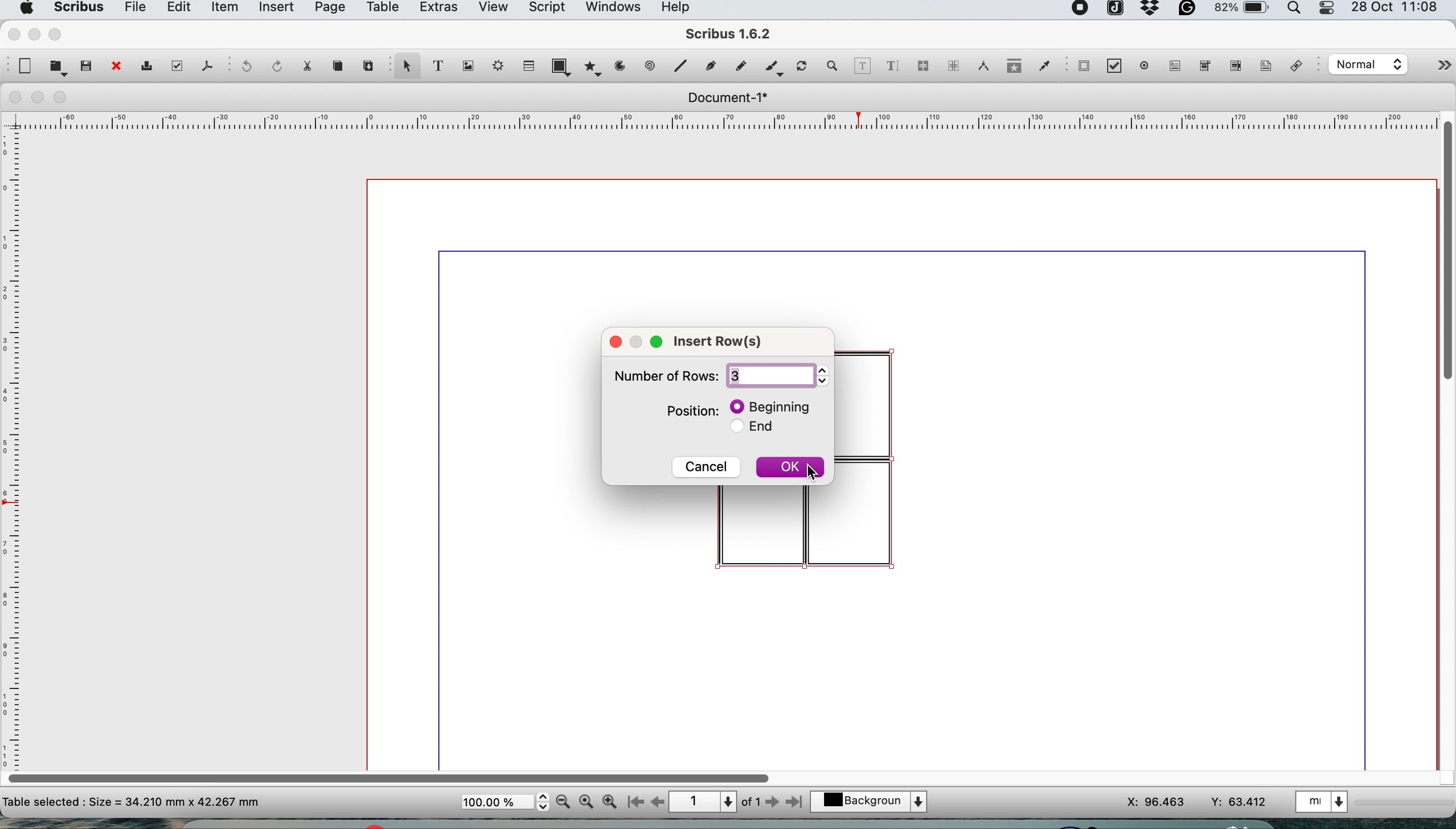 Image resolution: width=1456 pixels, height=829 pixels. I want to click on image frame, so click(466, 66).